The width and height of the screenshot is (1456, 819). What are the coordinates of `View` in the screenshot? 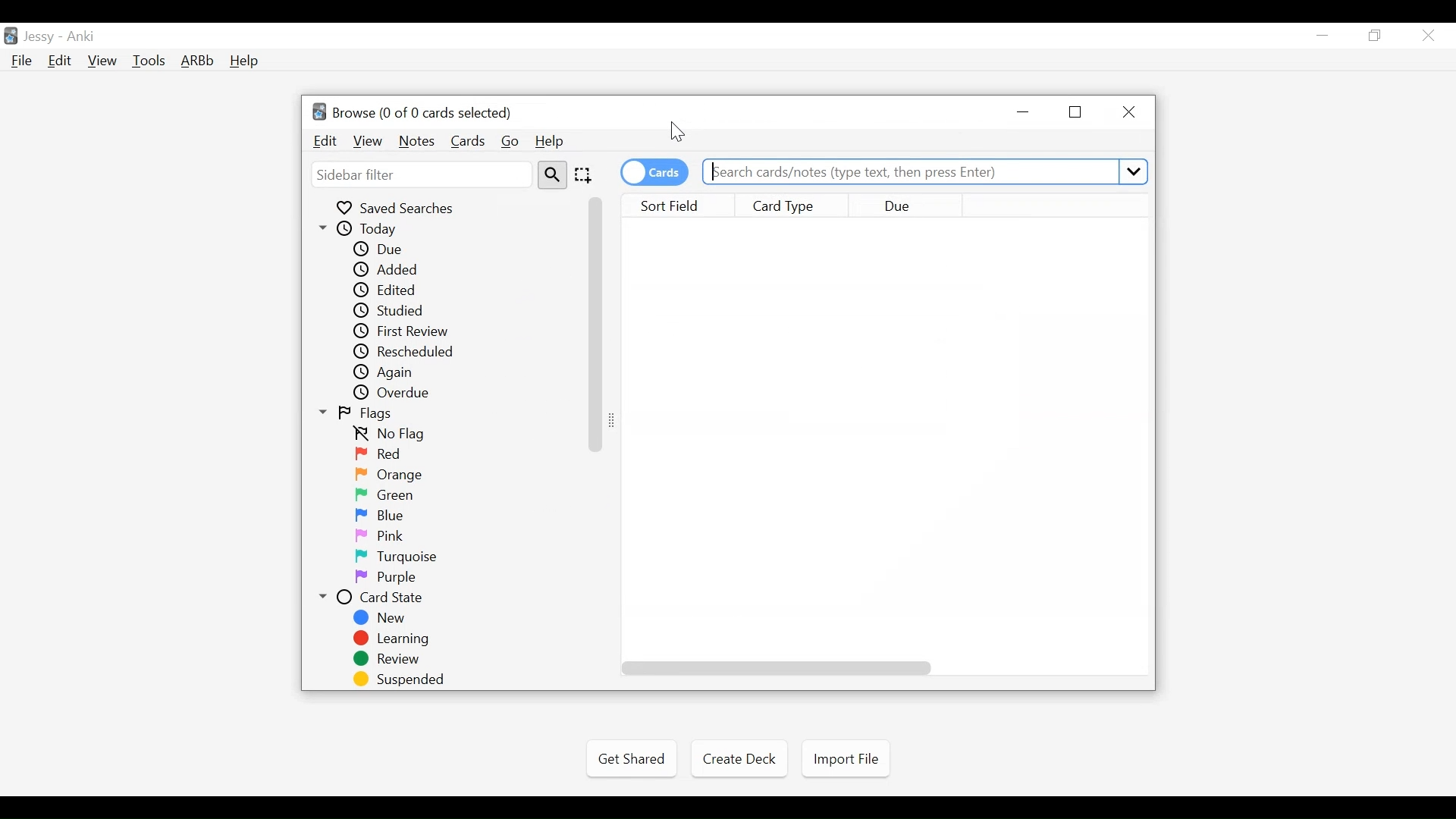 It's located at (103, 61).